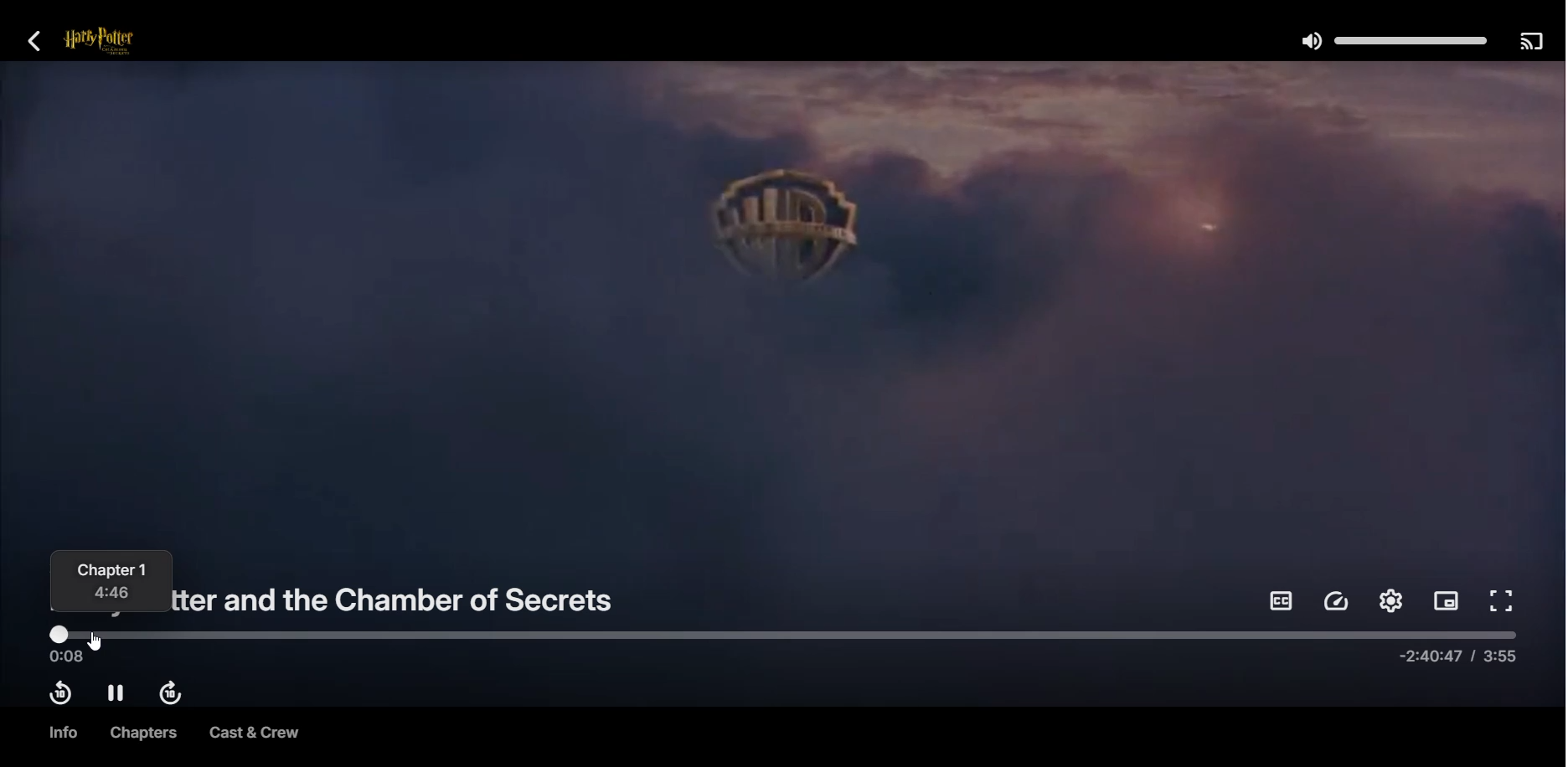 The height and width of the screenshot is (767, 1568). Describe the element at coordinates (1447, 603) in the screenshot. I see `Picture in picture` at that location.